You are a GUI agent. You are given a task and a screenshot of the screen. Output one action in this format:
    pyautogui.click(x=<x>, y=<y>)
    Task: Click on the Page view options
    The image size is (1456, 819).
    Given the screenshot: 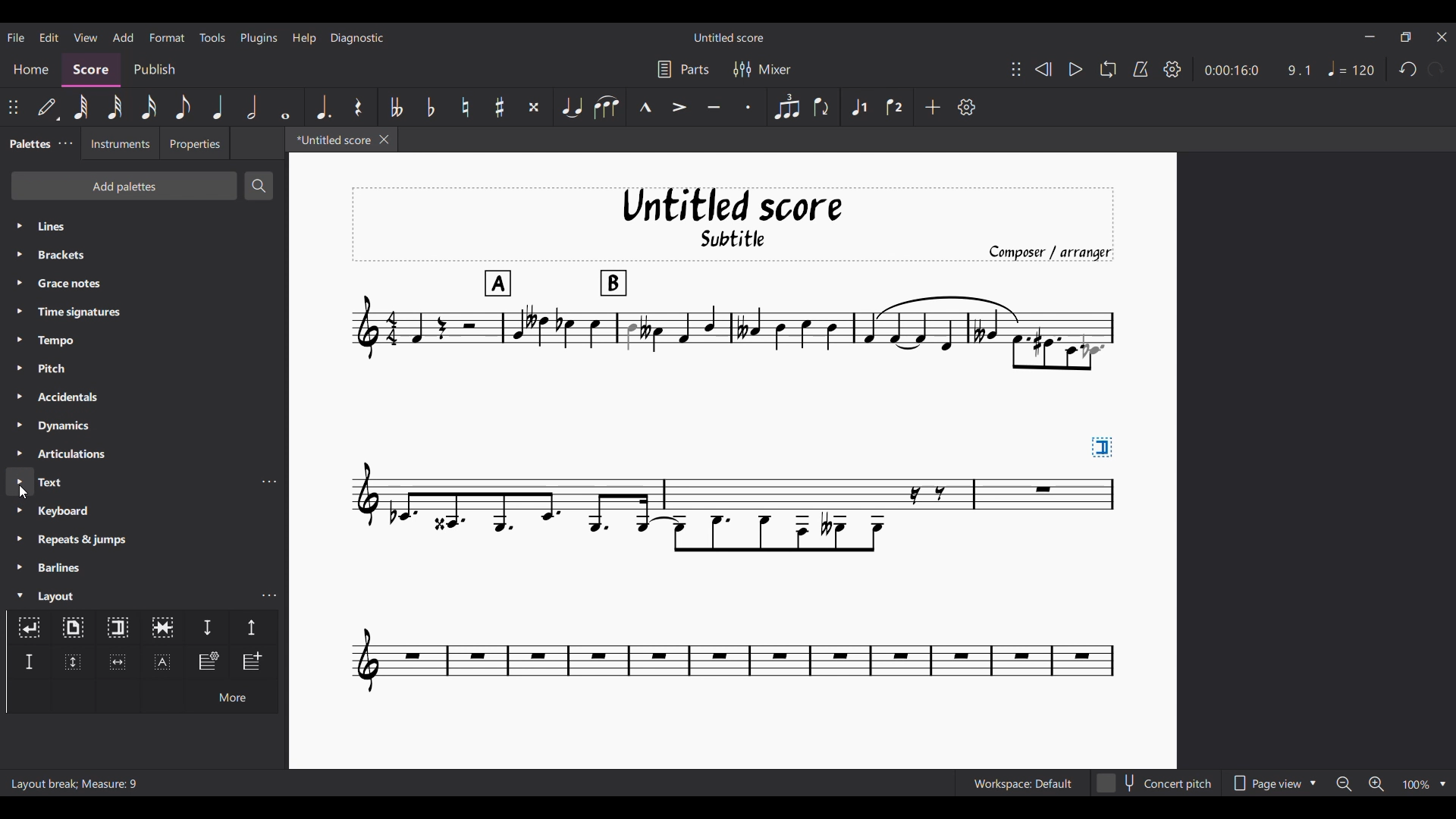 What is the action you would take?
    pyautogui.click(x=1272, y=783)
    